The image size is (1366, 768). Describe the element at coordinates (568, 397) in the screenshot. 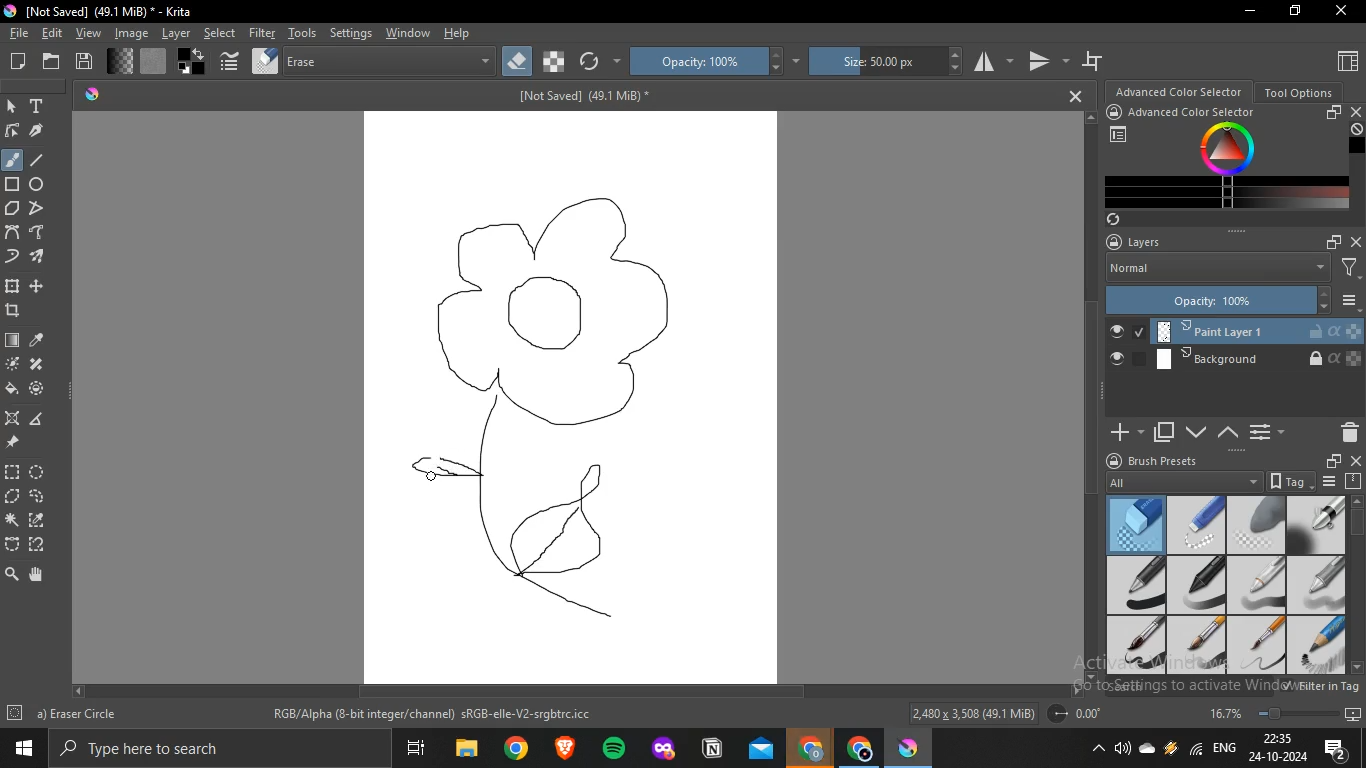

I see `Canvas` at that location.